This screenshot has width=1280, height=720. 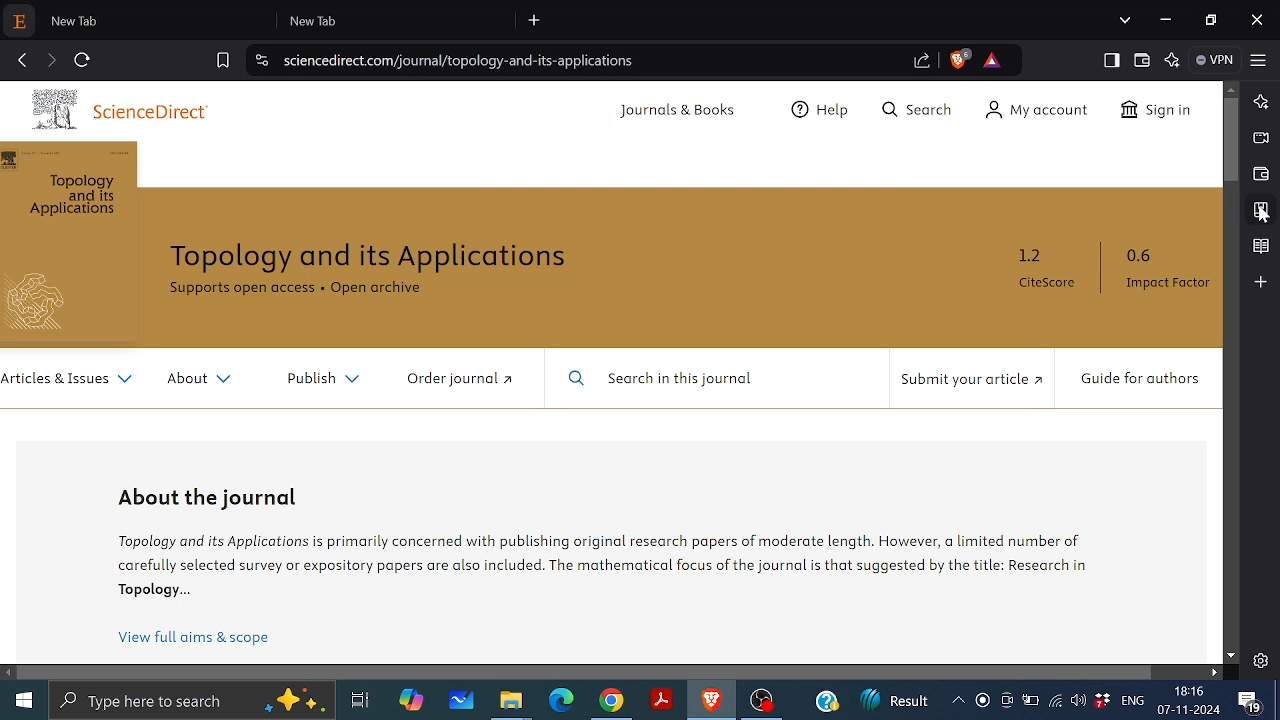 What do you see at coordinates (673, 381) in the screenshot?
I see `Search in this journal` at bounding box center [673, 381].